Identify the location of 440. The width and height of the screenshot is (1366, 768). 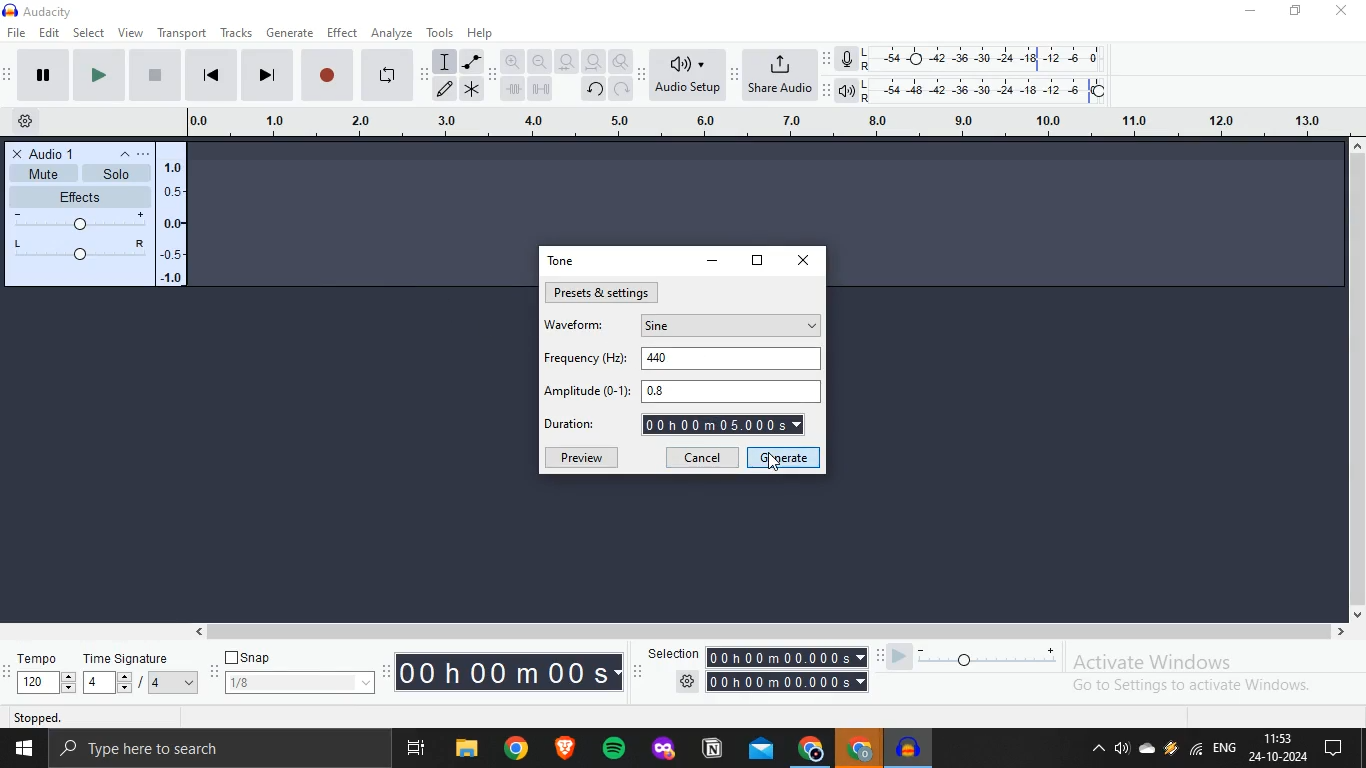
(728, 357).